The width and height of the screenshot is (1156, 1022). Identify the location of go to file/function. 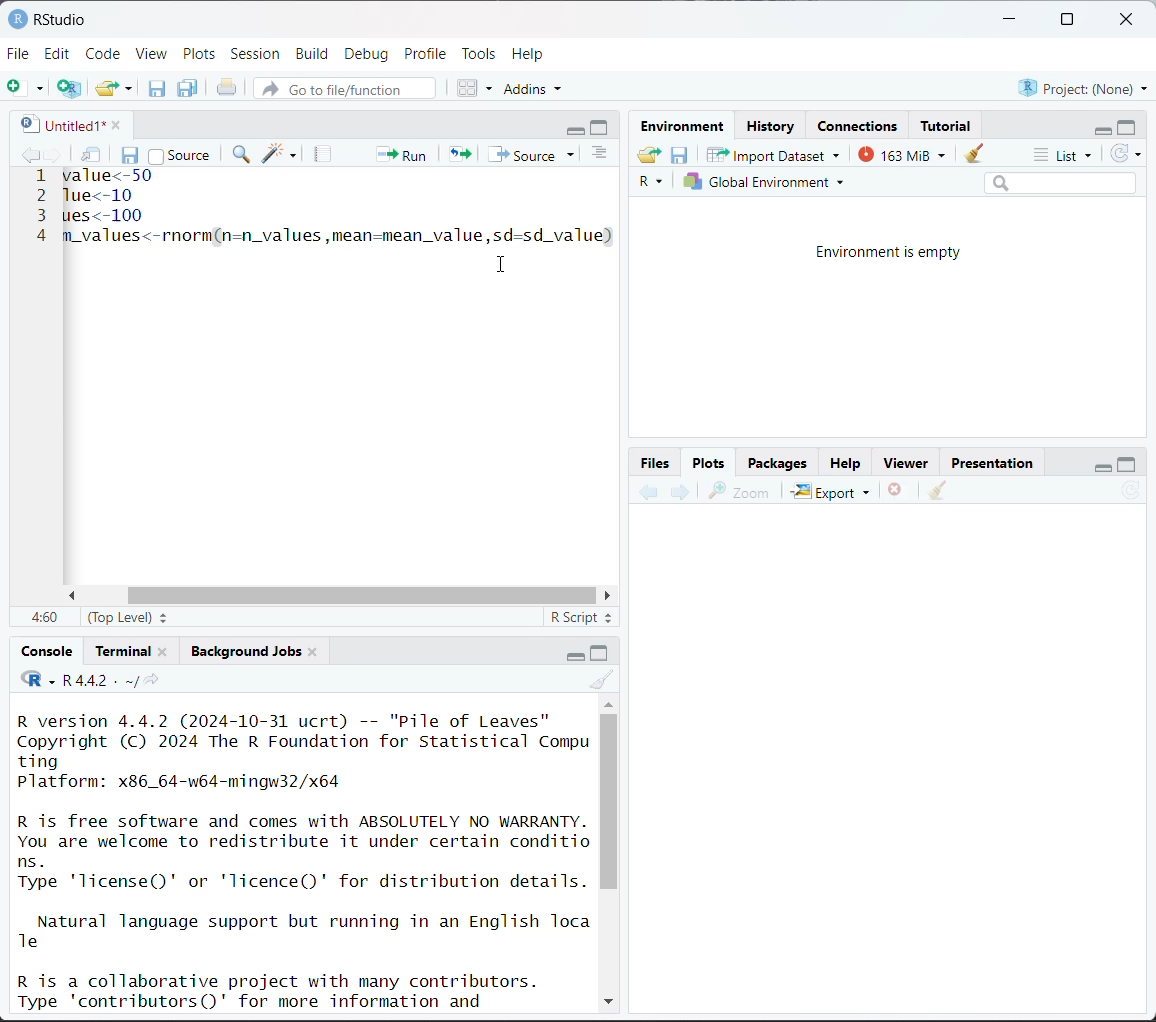
(343, 90).